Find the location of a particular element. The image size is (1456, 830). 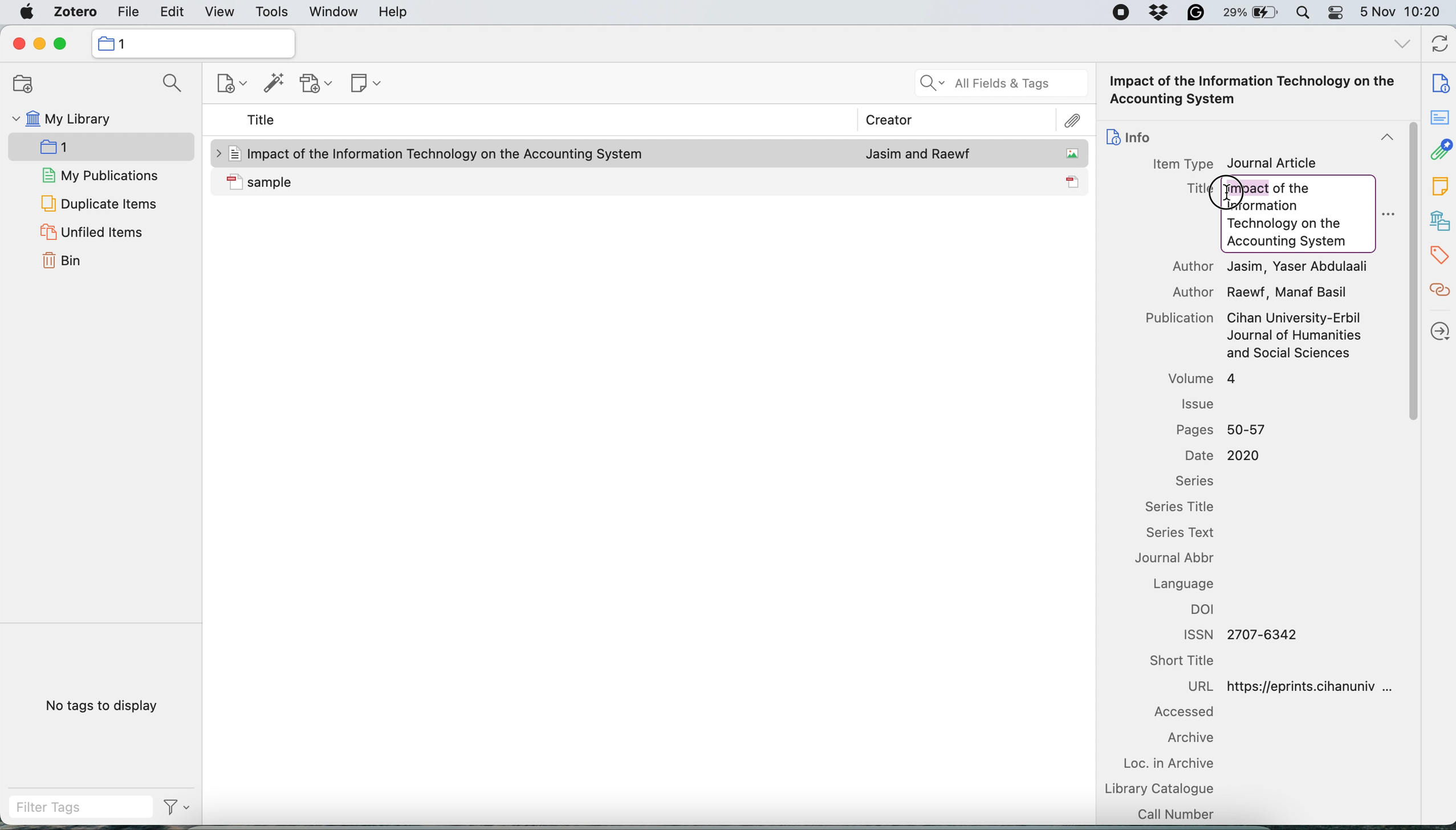

short title is located at coordinates (1185, 661).